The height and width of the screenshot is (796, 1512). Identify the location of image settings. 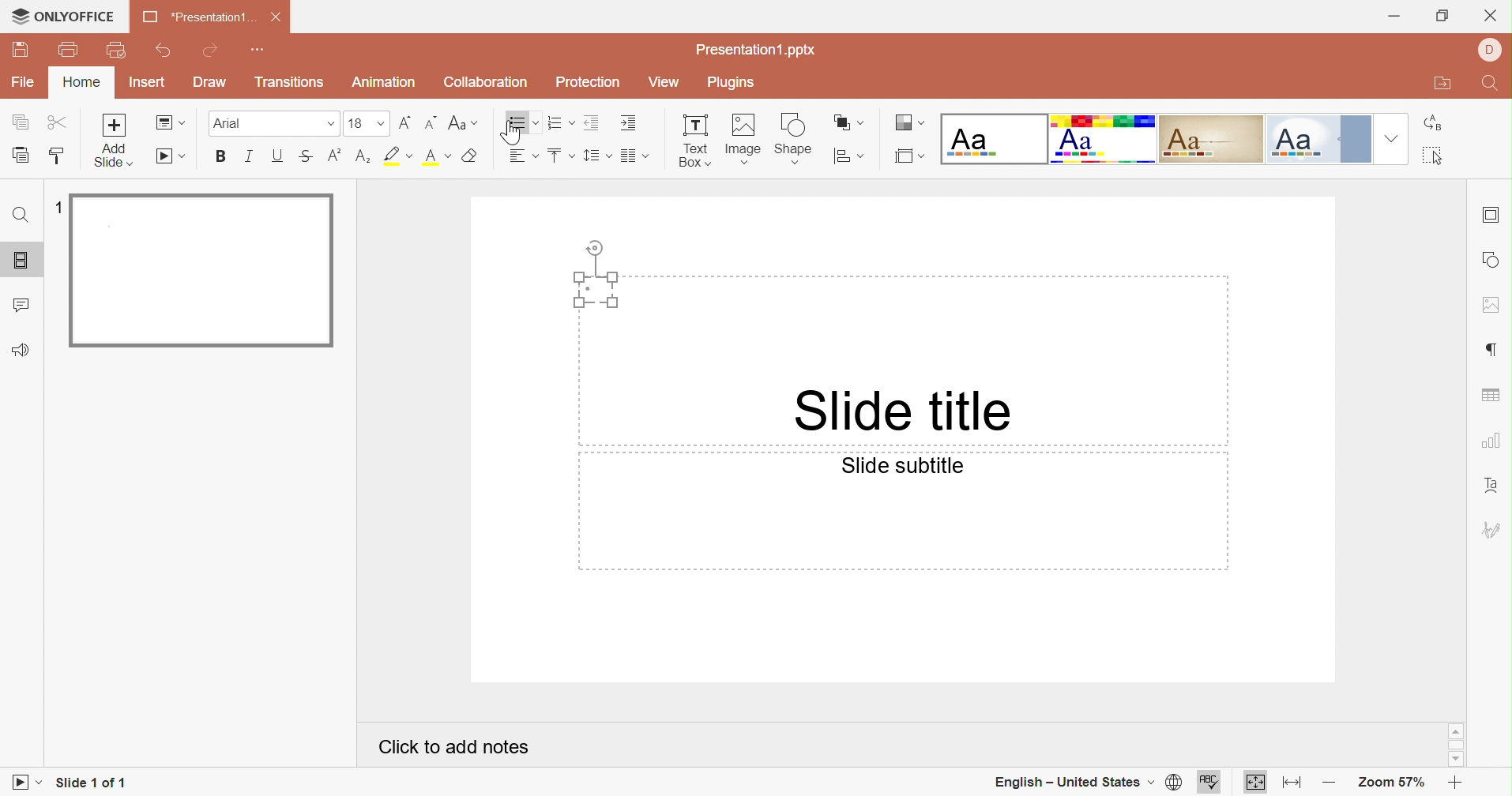
(1493, 302).